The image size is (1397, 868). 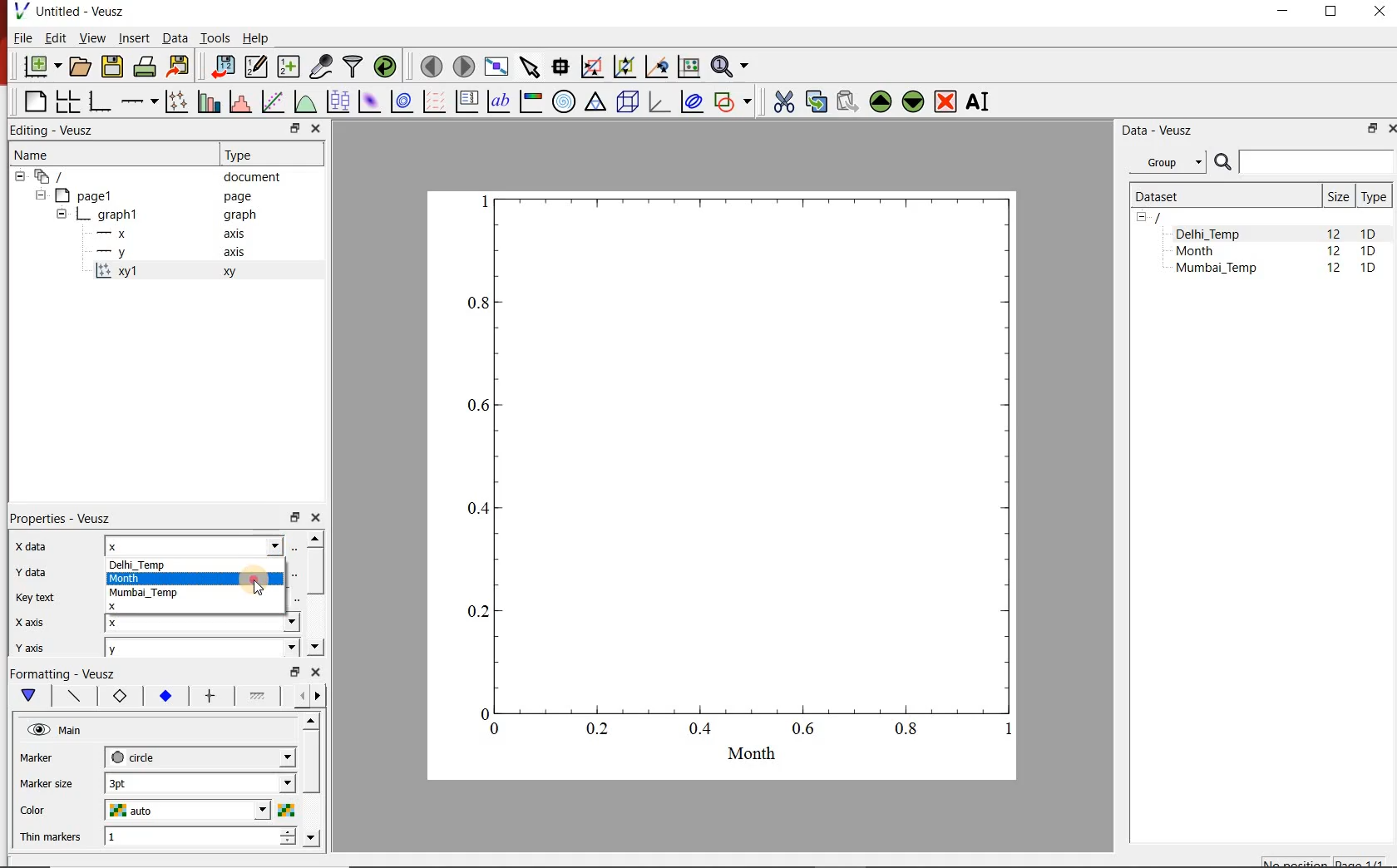 I want to click on click to recenter graph axes, so click(x=656, y=67).